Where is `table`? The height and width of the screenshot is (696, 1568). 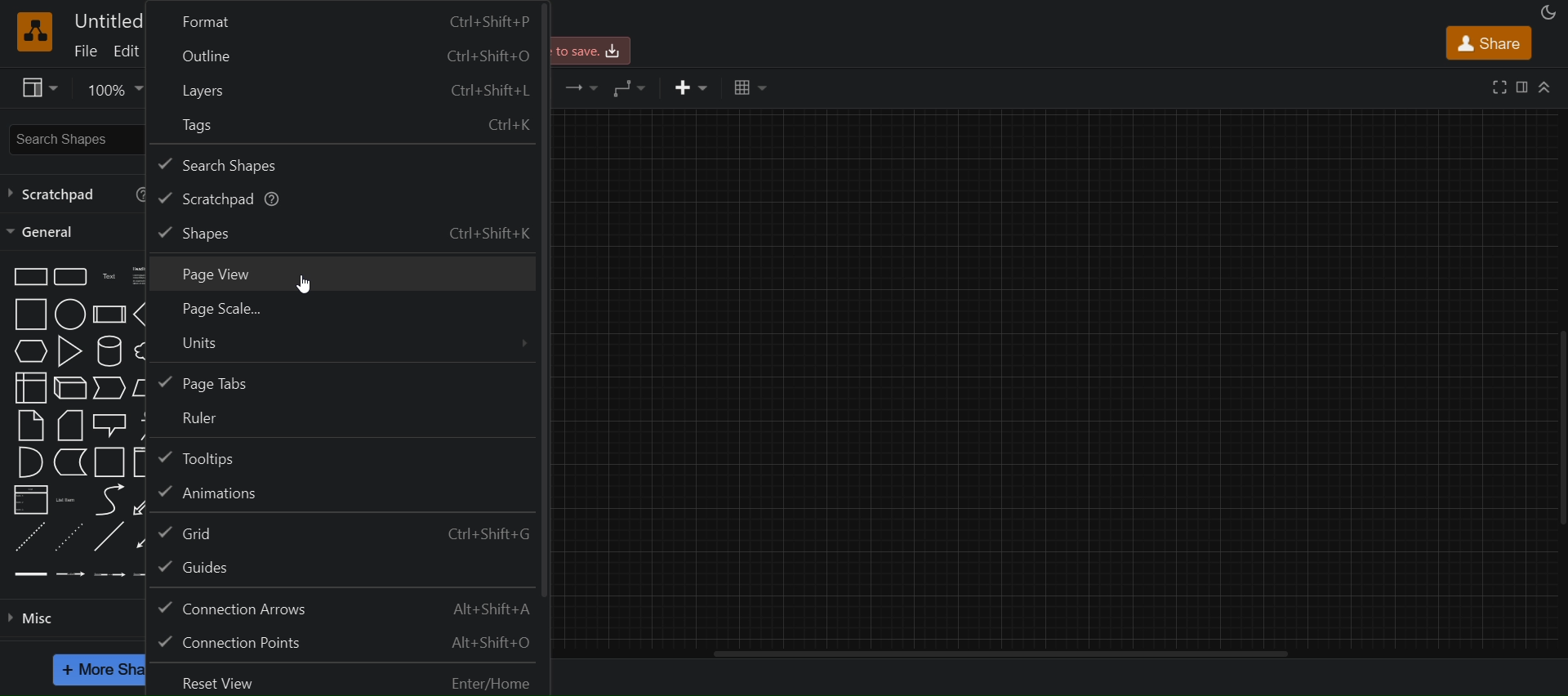 table is located at coordinates (748, 87).